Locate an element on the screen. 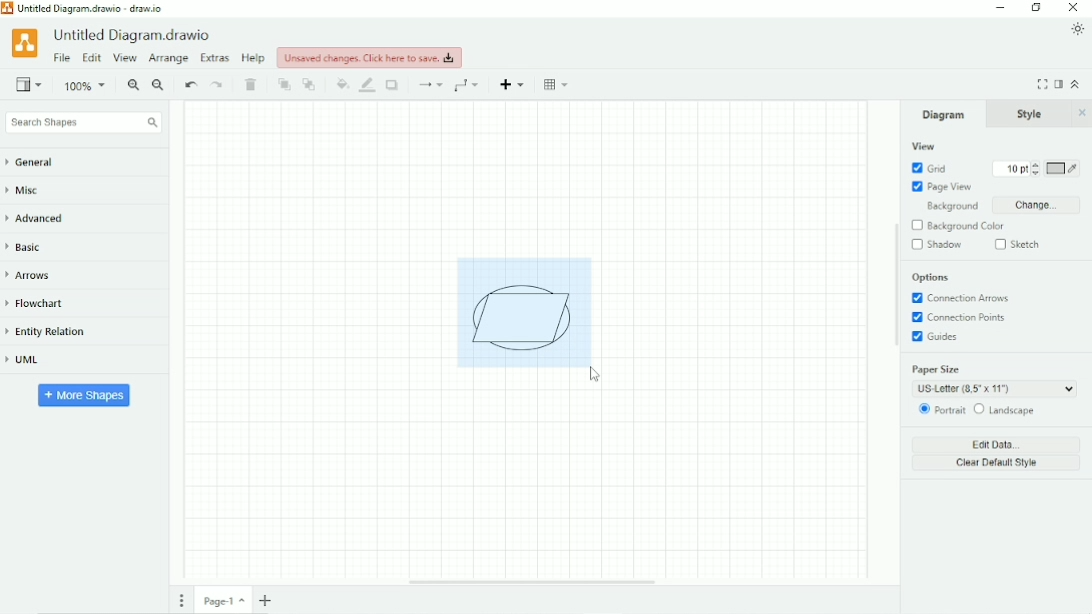 Image resolution: width=1092 pixels, height=614 pixels. Title is located at coordinates (135, 35).